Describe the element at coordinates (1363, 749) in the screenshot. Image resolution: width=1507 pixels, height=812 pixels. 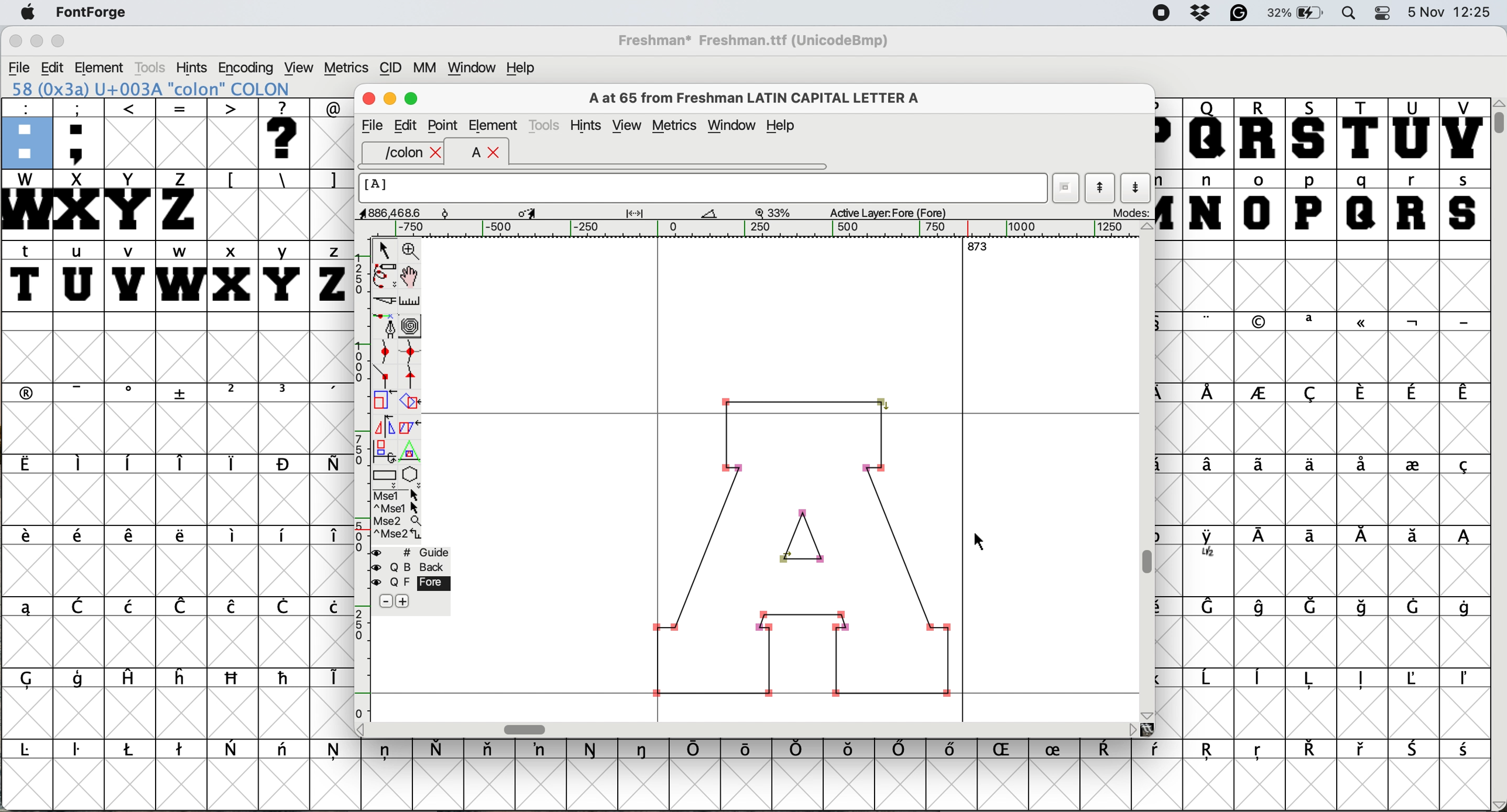
I see `symbol` at that location.